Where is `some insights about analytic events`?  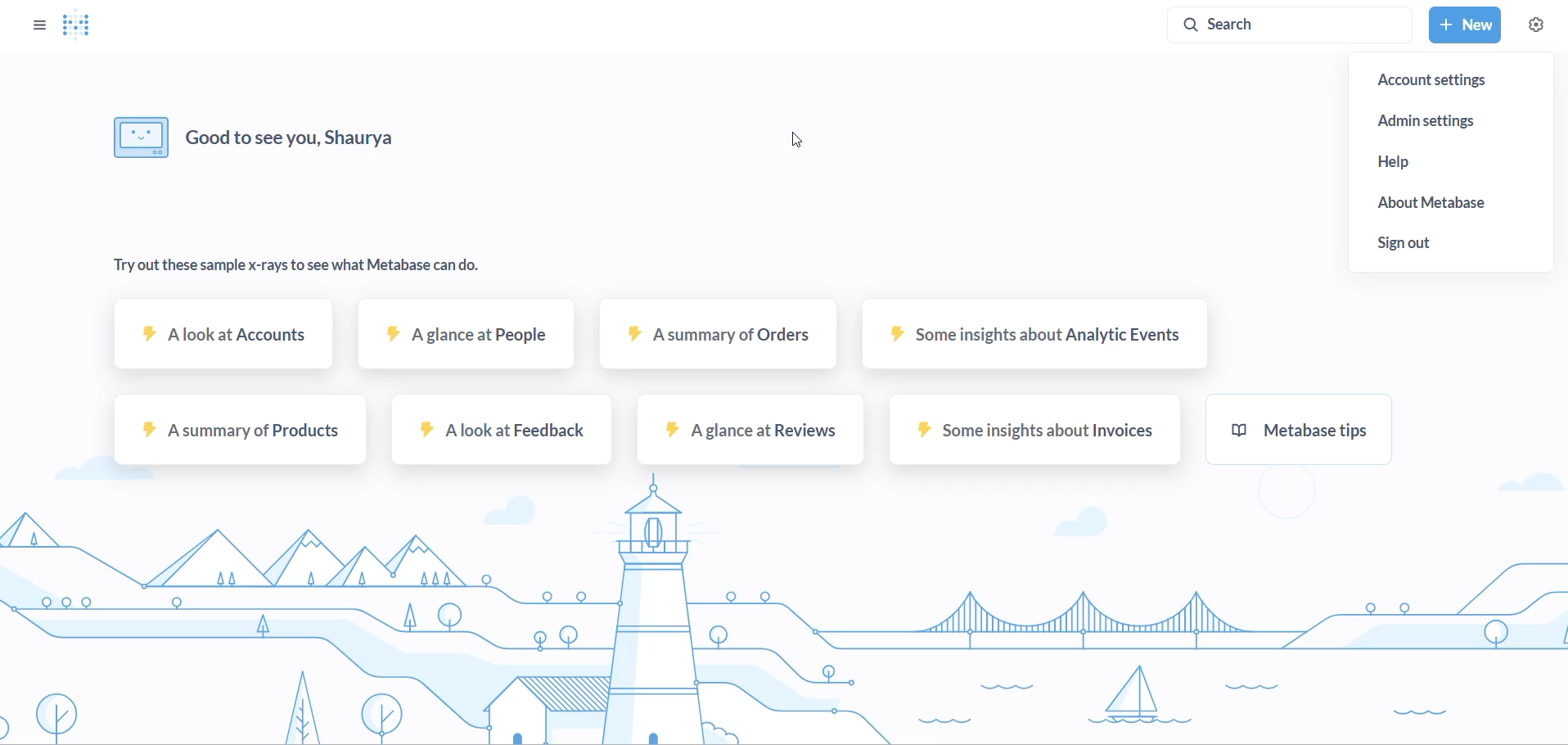
some insights about analytic events is located at coordinates (1031, 342).